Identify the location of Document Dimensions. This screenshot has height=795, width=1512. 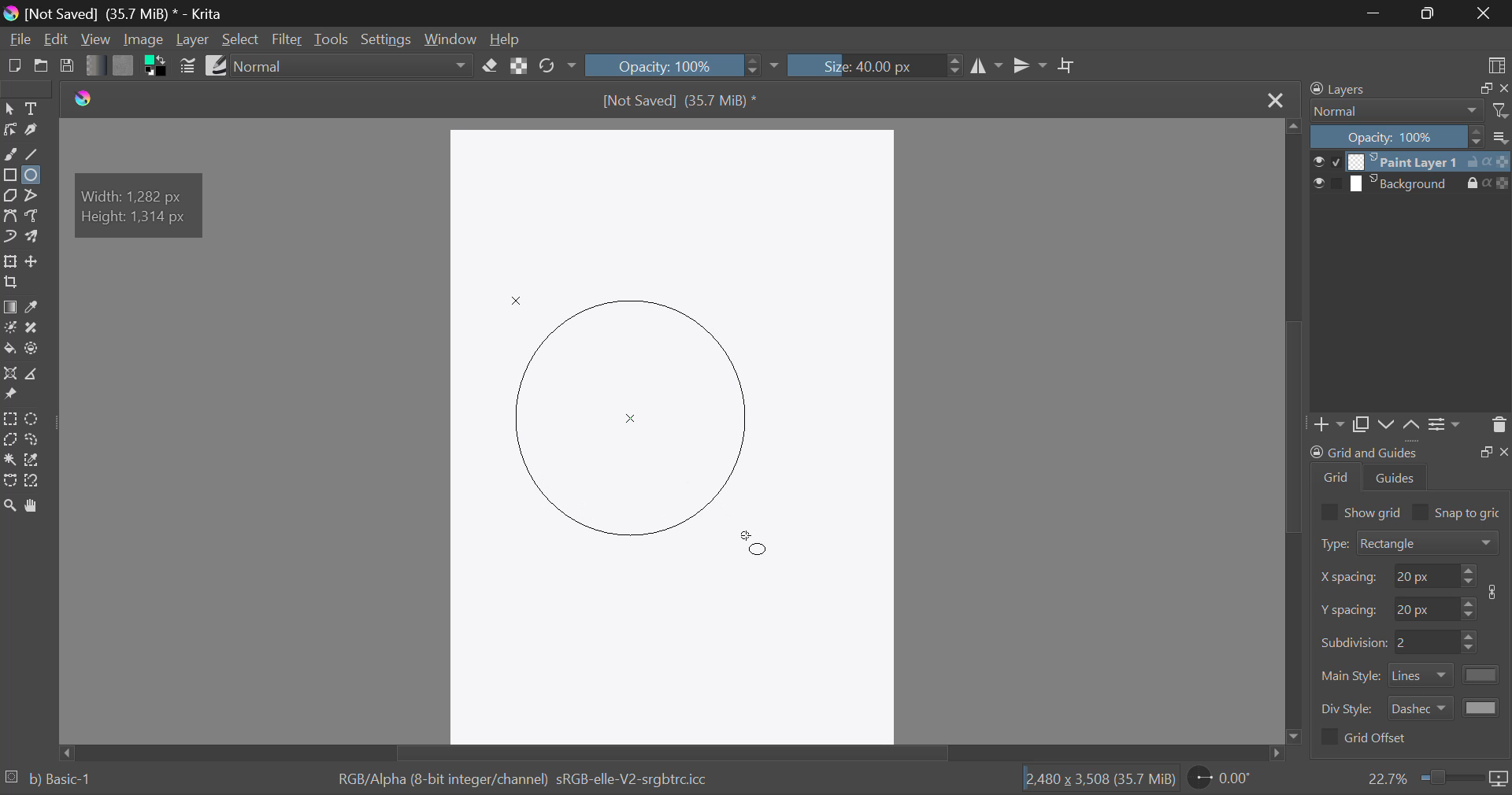
(1096, 780).